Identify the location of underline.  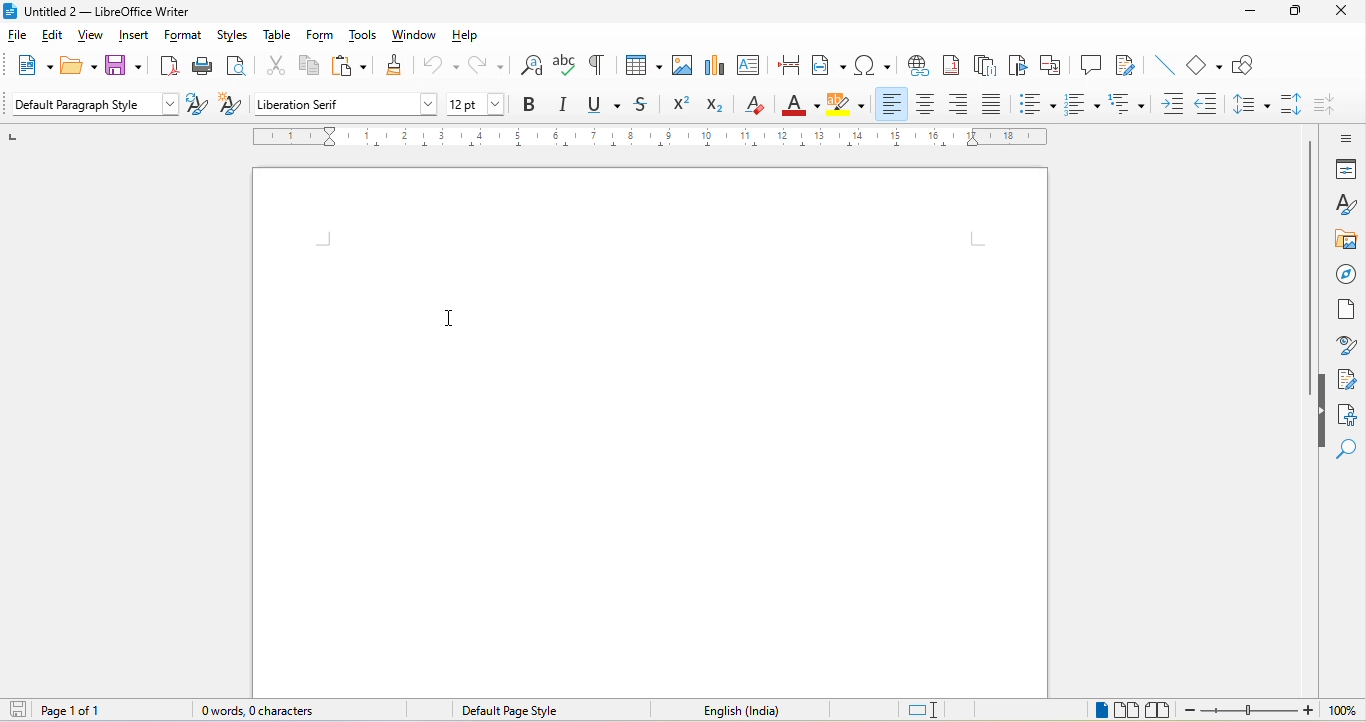
(601, 108).